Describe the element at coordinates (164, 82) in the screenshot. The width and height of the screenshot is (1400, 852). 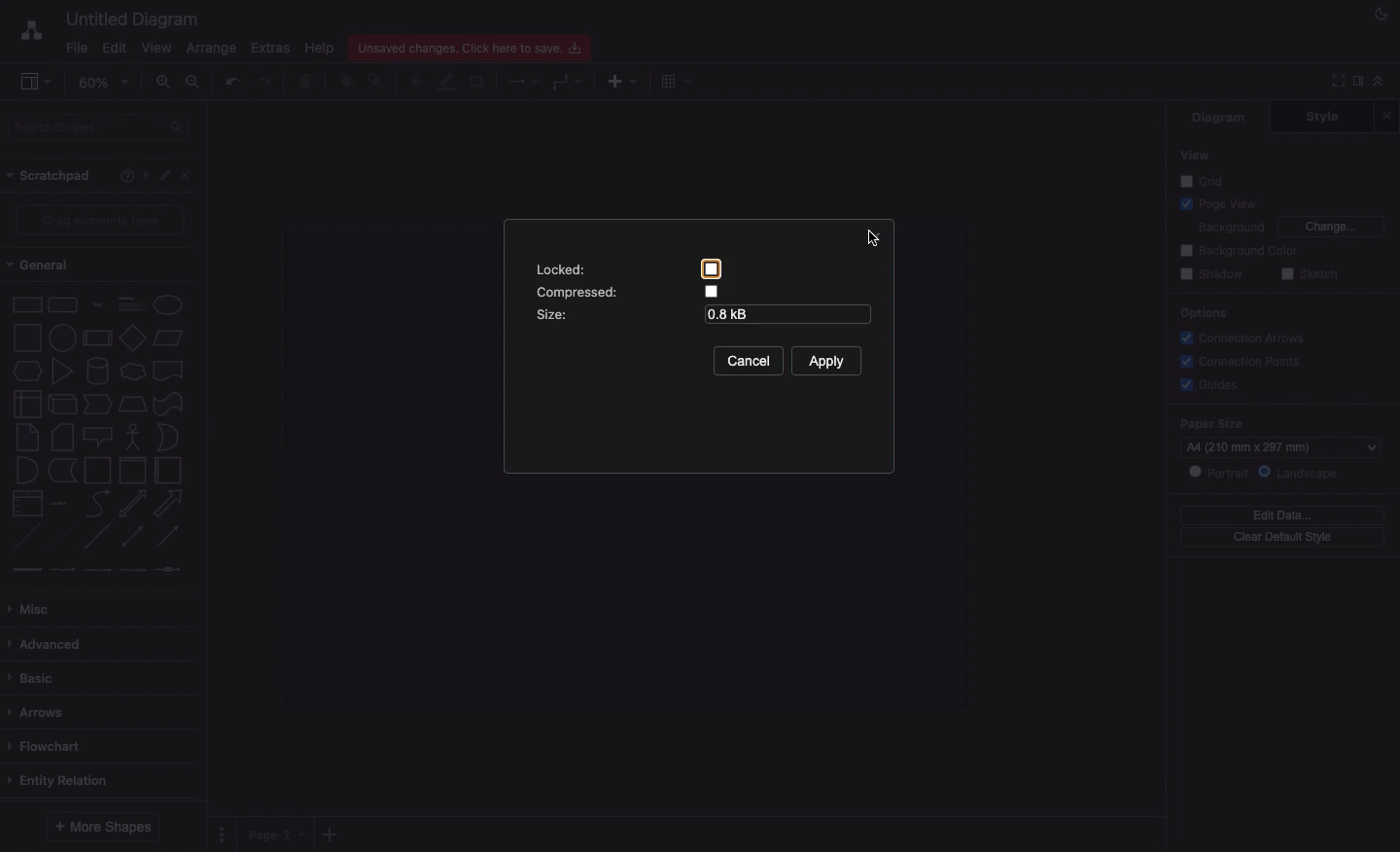
I see `Zoom in` at that location.